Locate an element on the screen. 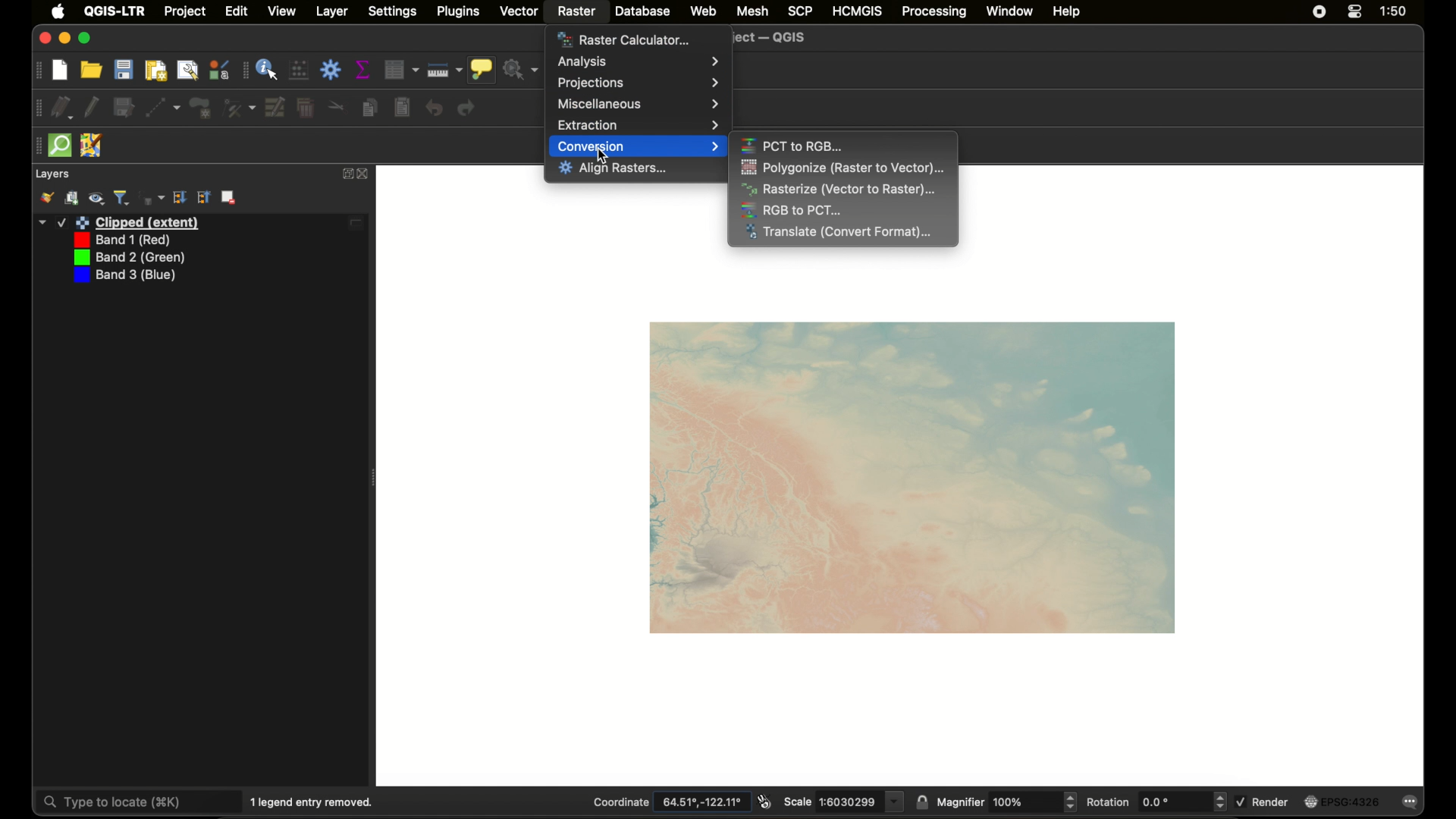 This screenshot has height=819, width=1456. show statistical summary is located at coordinates (363, 69).